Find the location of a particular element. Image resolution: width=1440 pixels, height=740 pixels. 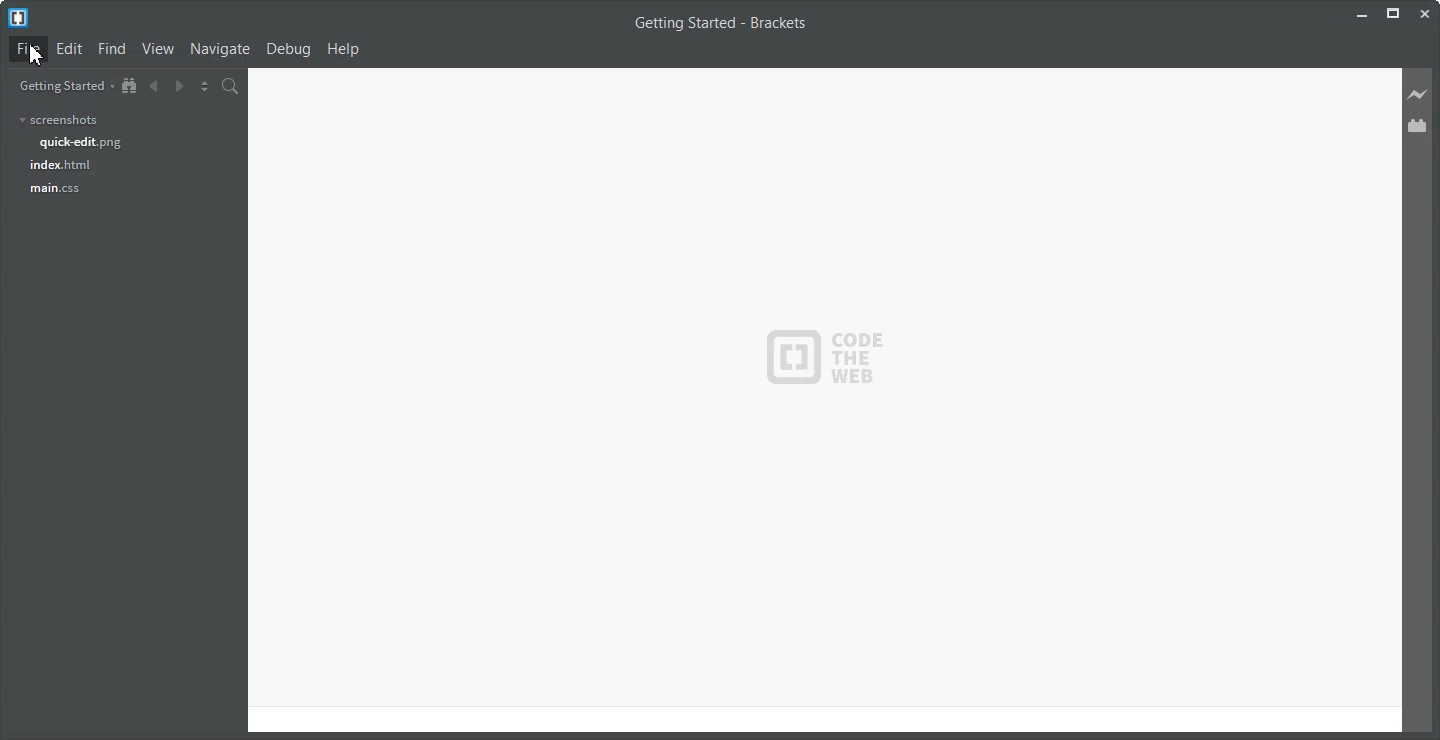

Getting Started is located at coordinates (63, 85).